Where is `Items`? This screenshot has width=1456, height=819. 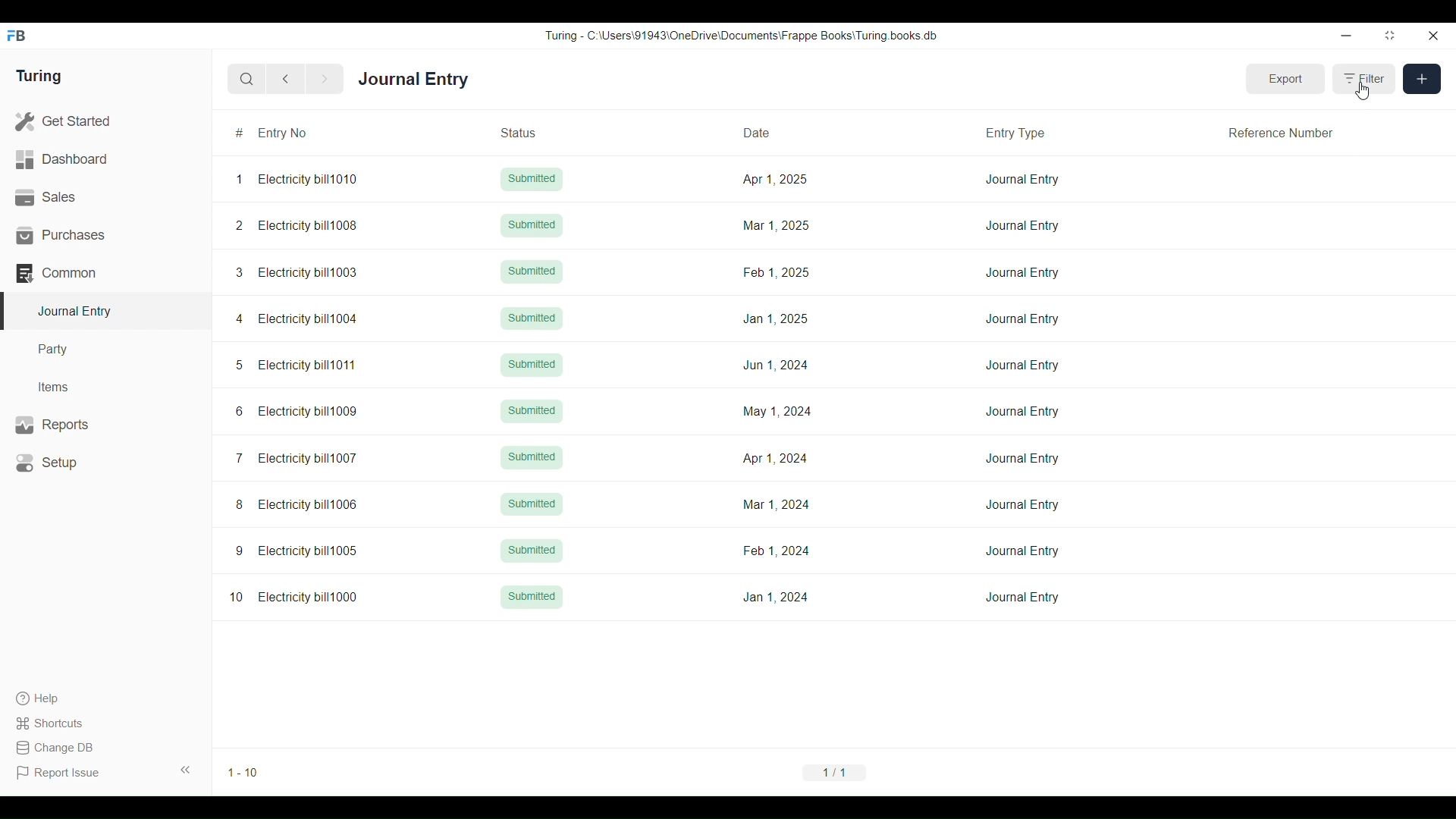 Items is located at coordinates (106, 388).